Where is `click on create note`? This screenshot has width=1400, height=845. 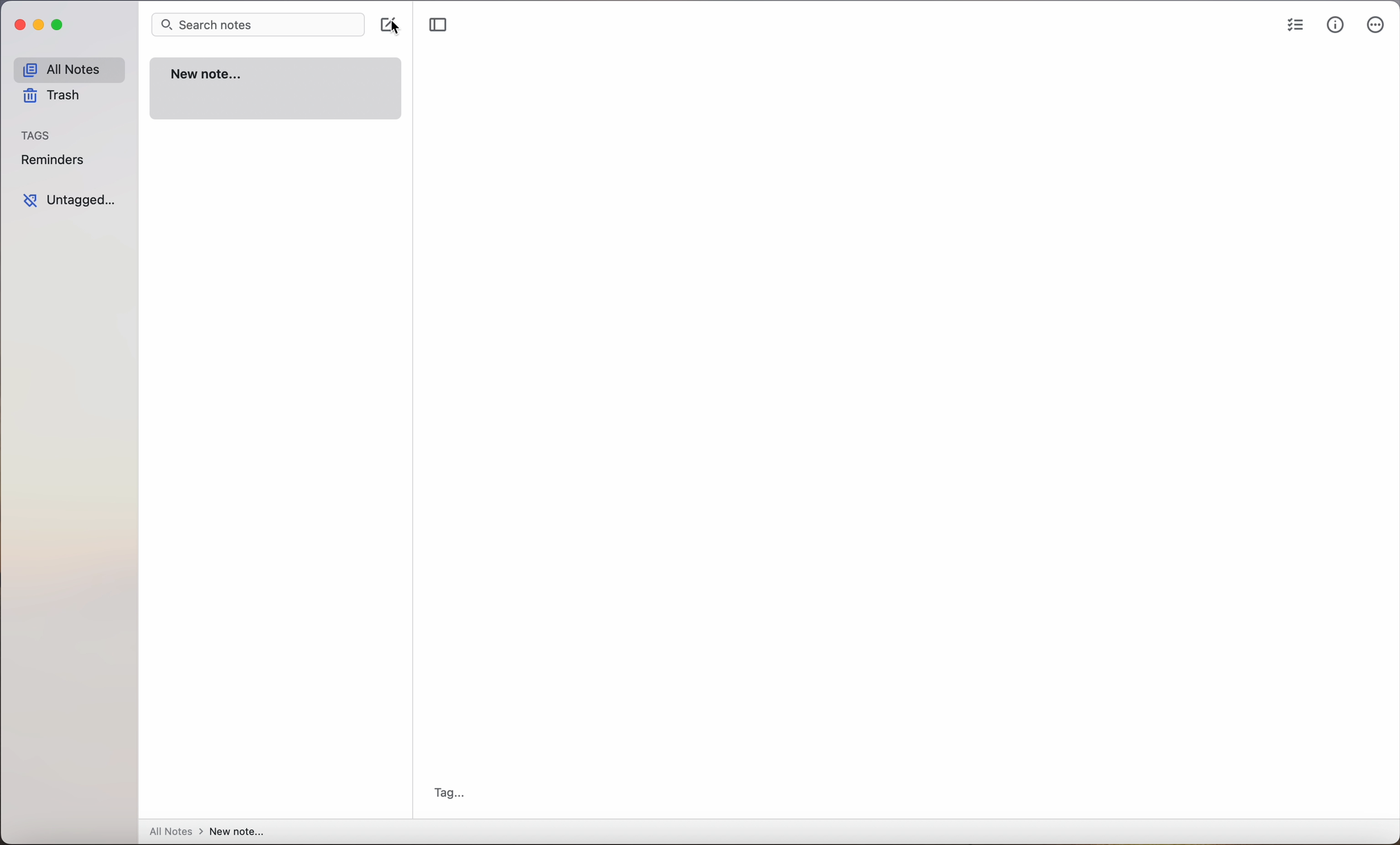
click on create note is located at coordinates (387, 26).